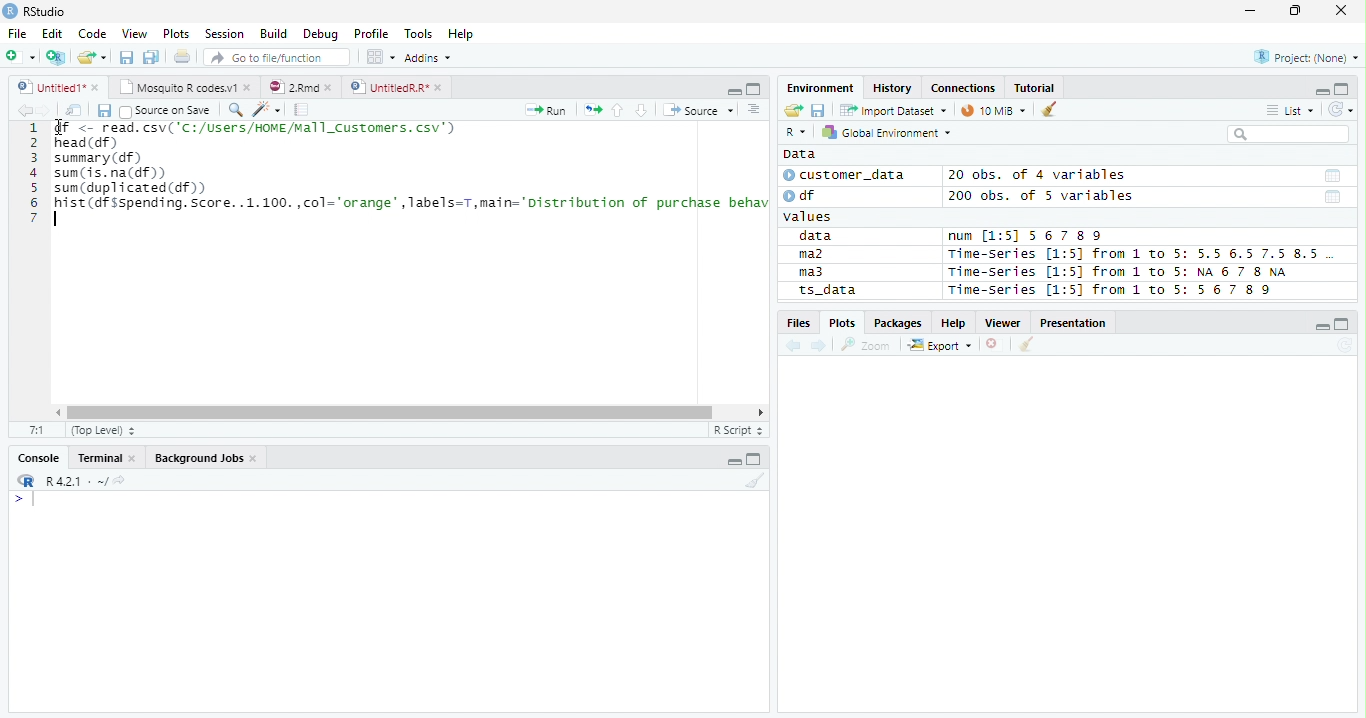 Image resolution: width=1366 pixels, height=718 pixels. What do you see at coordinates (407, 414) in the screenshot?
I see `Scroll` at bounding box center [407, 414].